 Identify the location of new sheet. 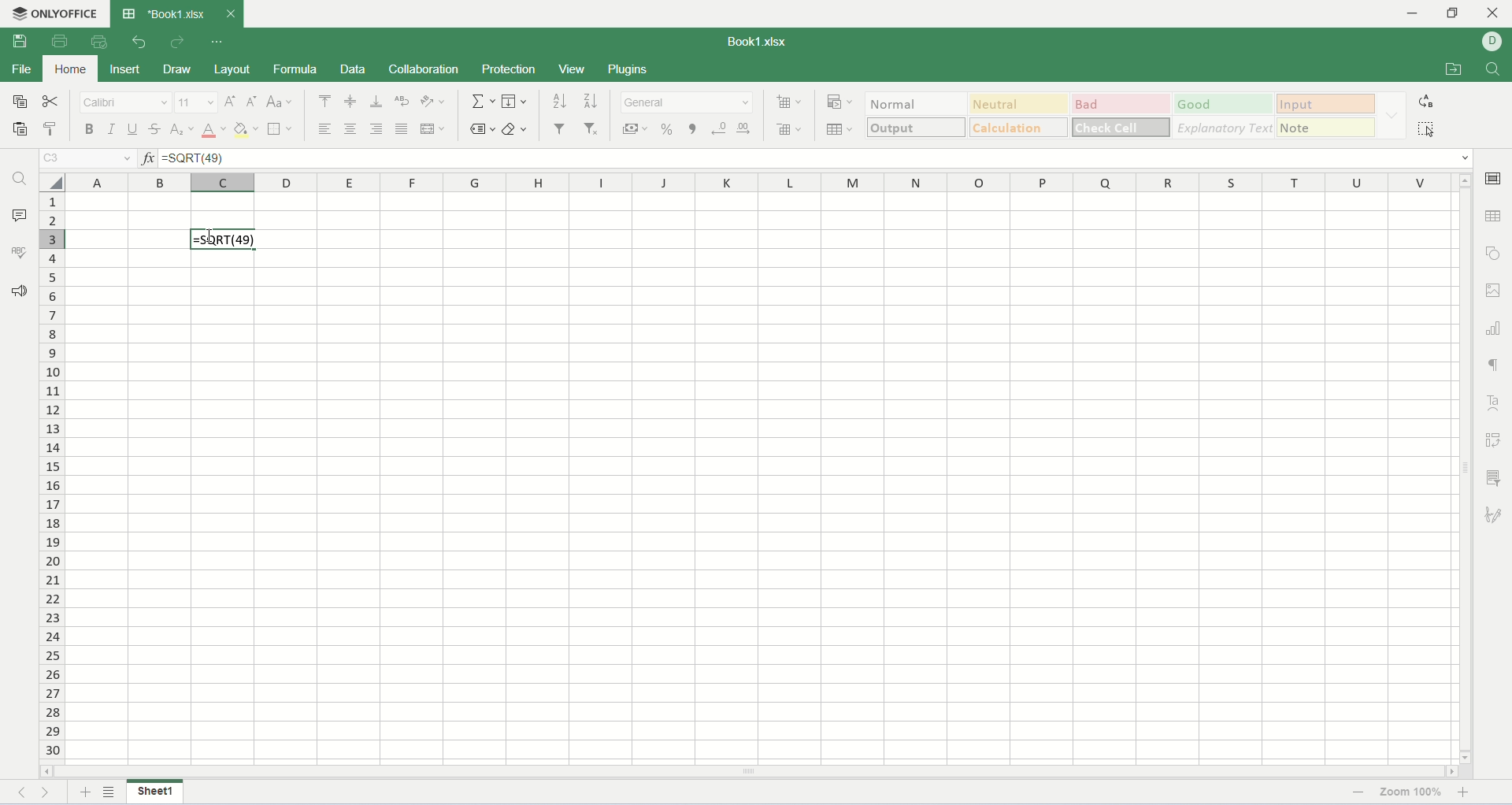
(86, 793).